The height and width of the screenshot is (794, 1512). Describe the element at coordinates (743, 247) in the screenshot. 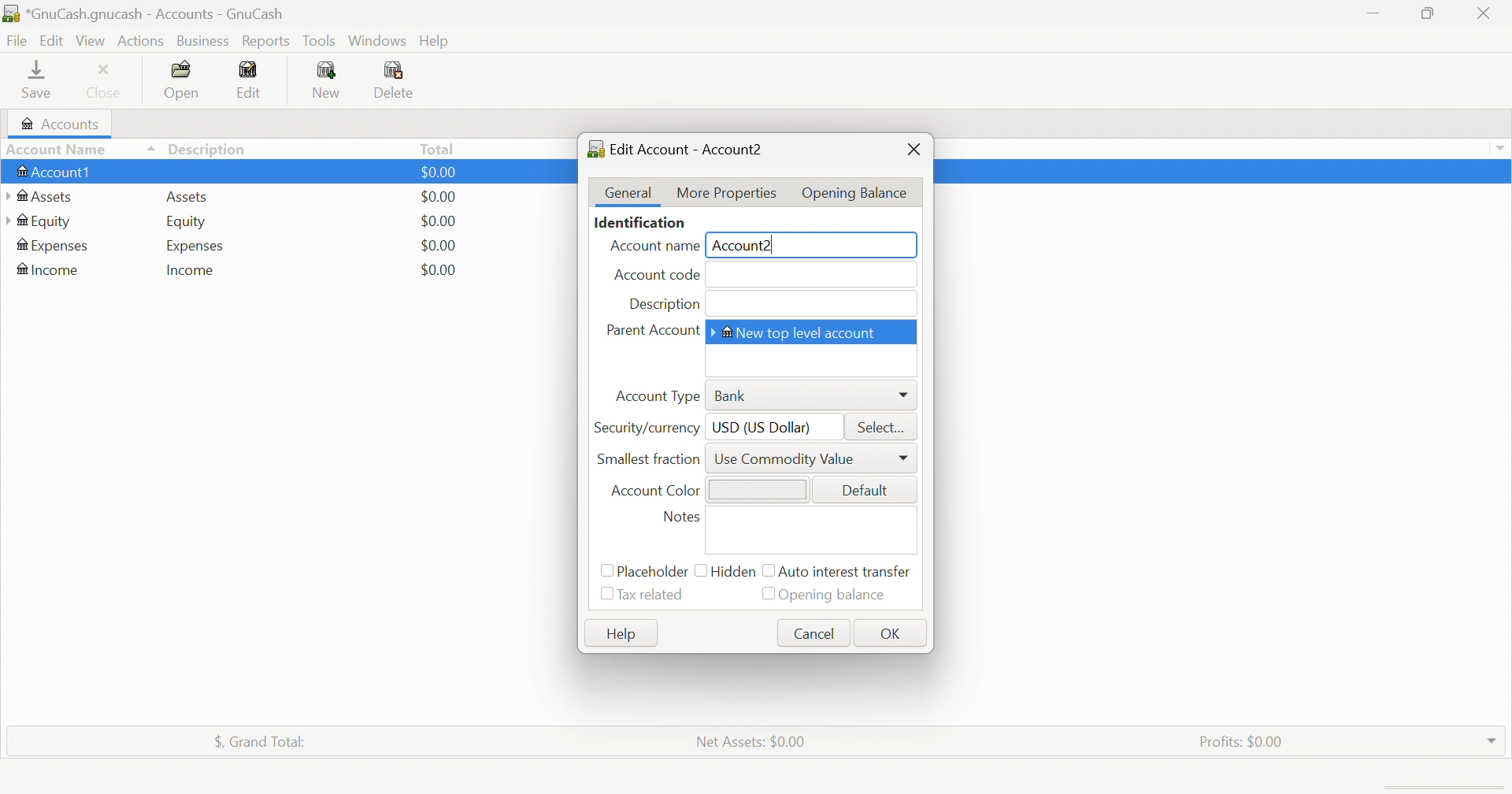

I see `Account2` at that location.